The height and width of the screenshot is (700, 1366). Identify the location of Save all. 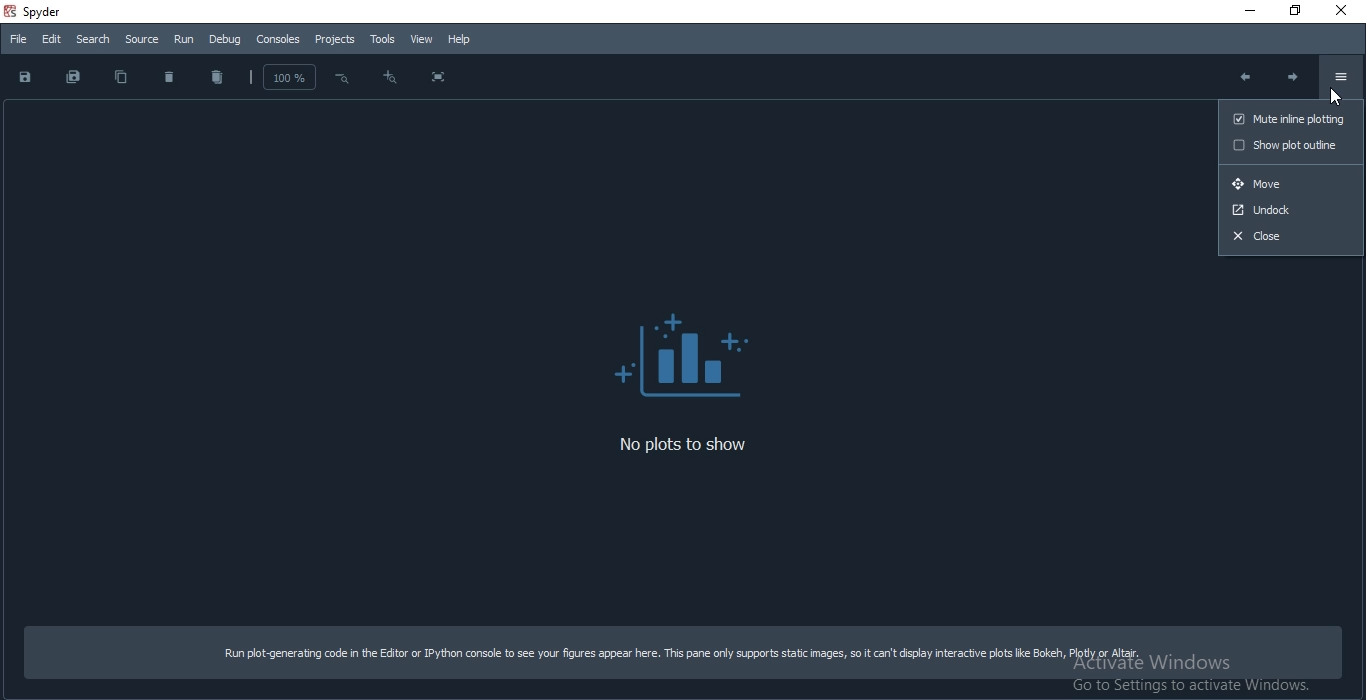
(74, 78).